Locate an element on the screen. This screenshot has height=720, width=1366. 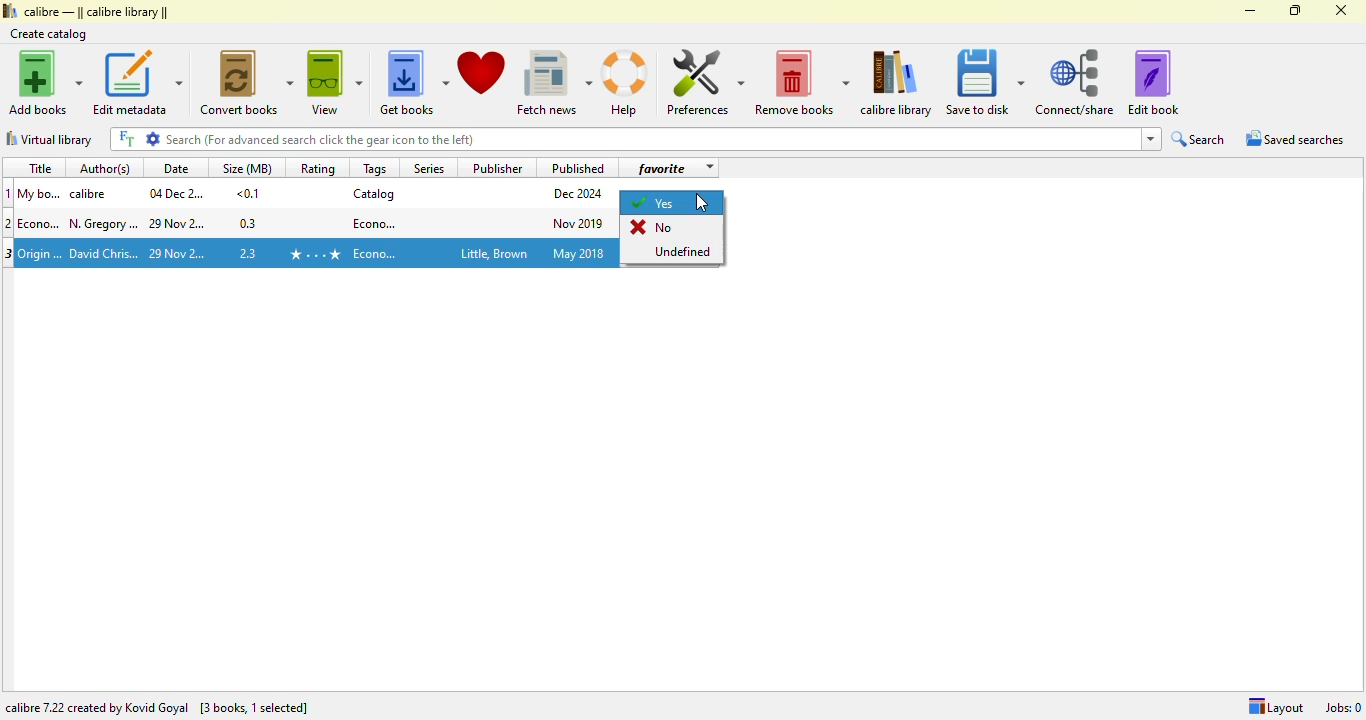
tag is located at coordinates (376, 222).